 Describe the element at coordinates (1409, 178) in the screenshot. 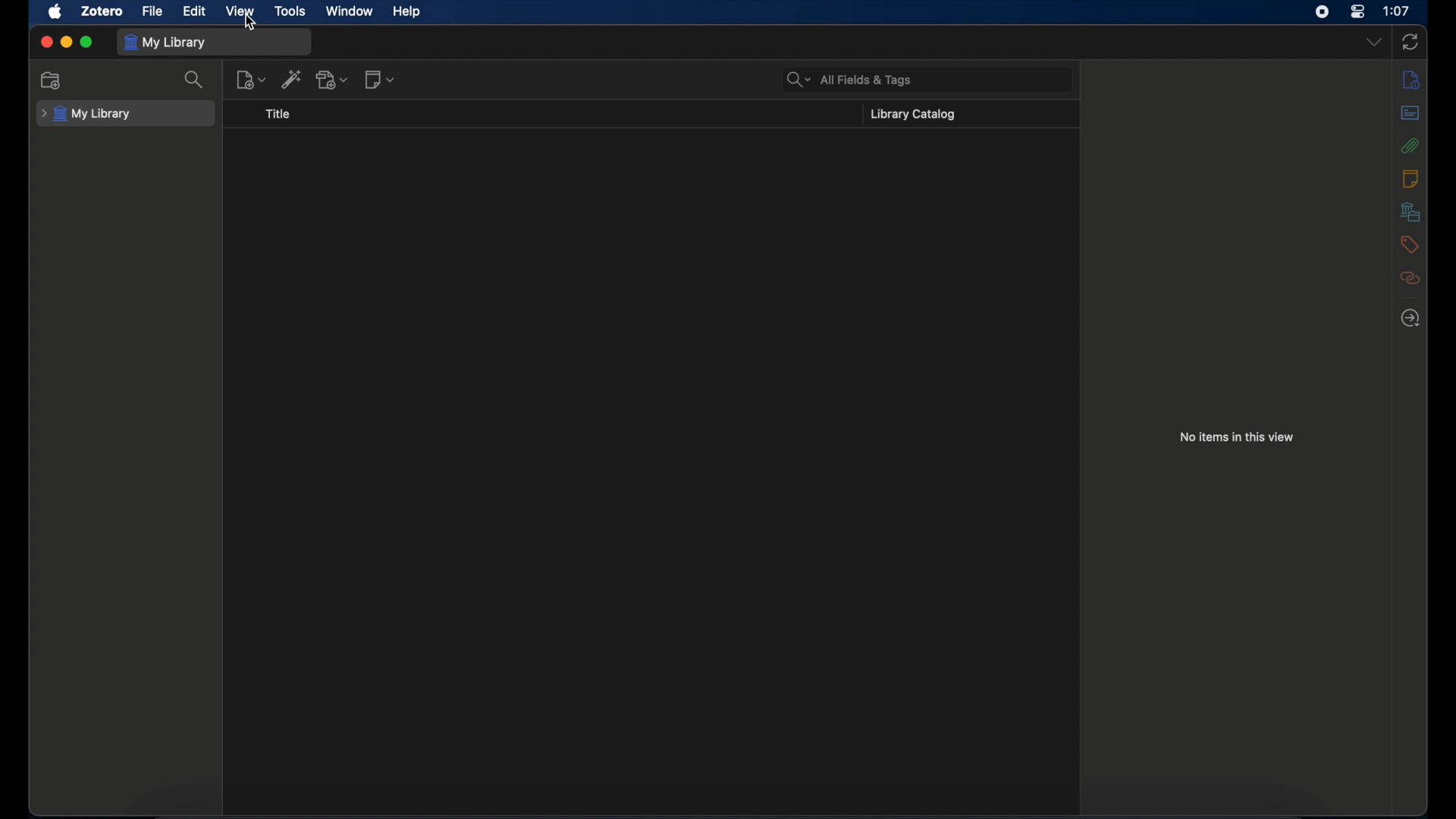

I see `notes` at that location.